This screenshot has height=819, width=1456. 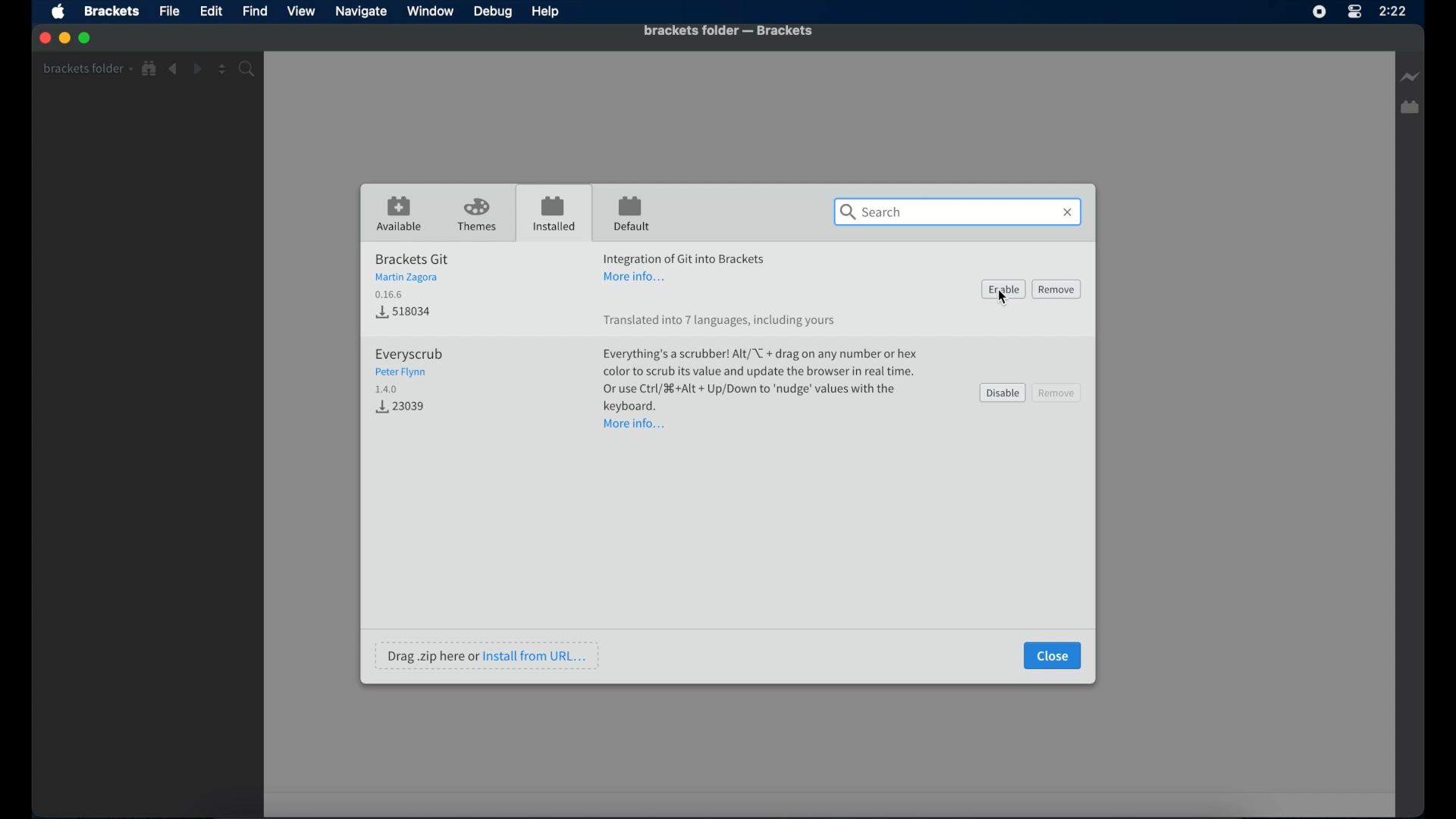 What do you see at coordinates (632, 215) in the screenshot?
I see `default` at bounding box center [632, 215].